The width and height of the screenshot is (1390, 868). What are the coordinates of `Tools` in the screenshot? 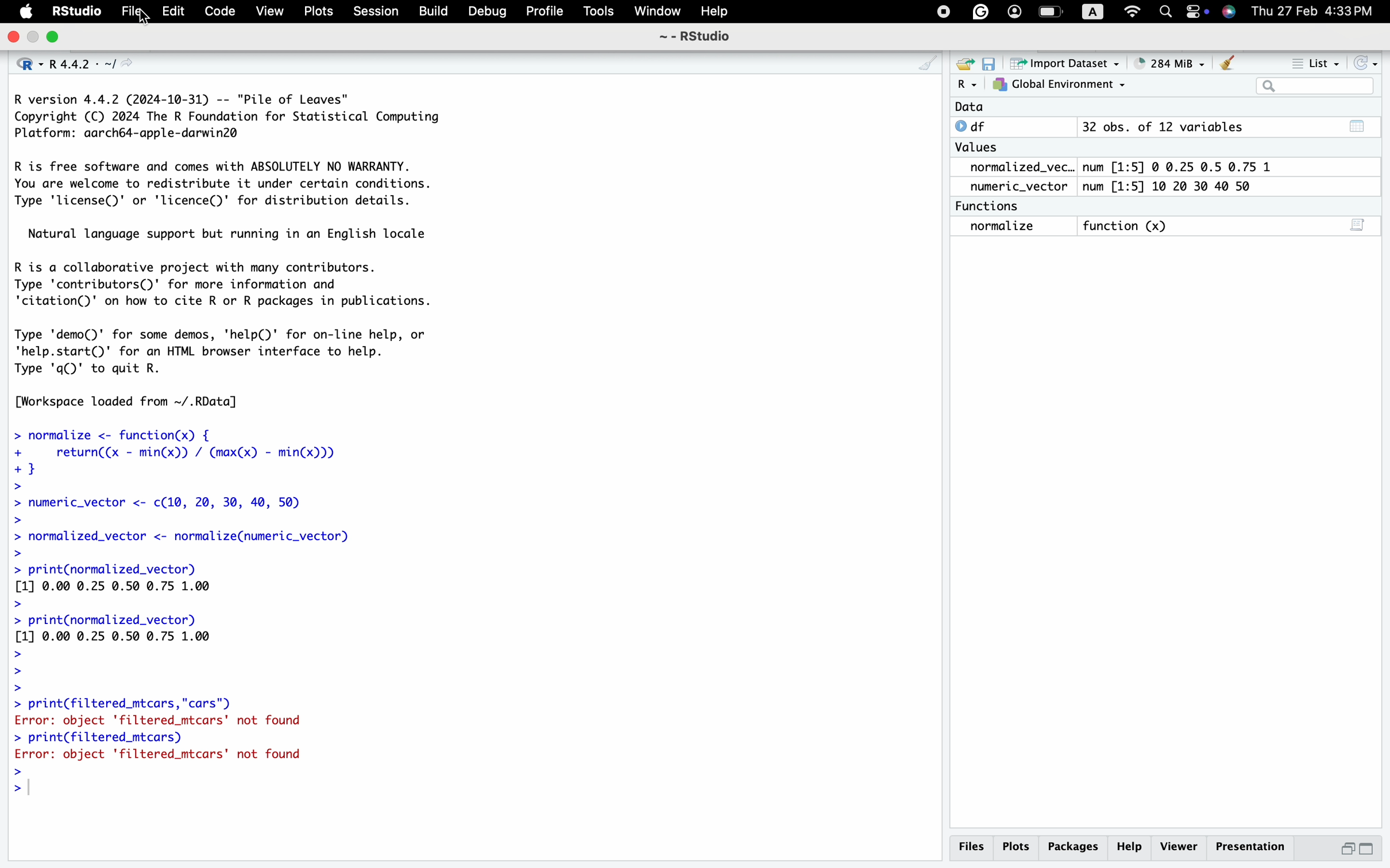 It's located at (601, 10).